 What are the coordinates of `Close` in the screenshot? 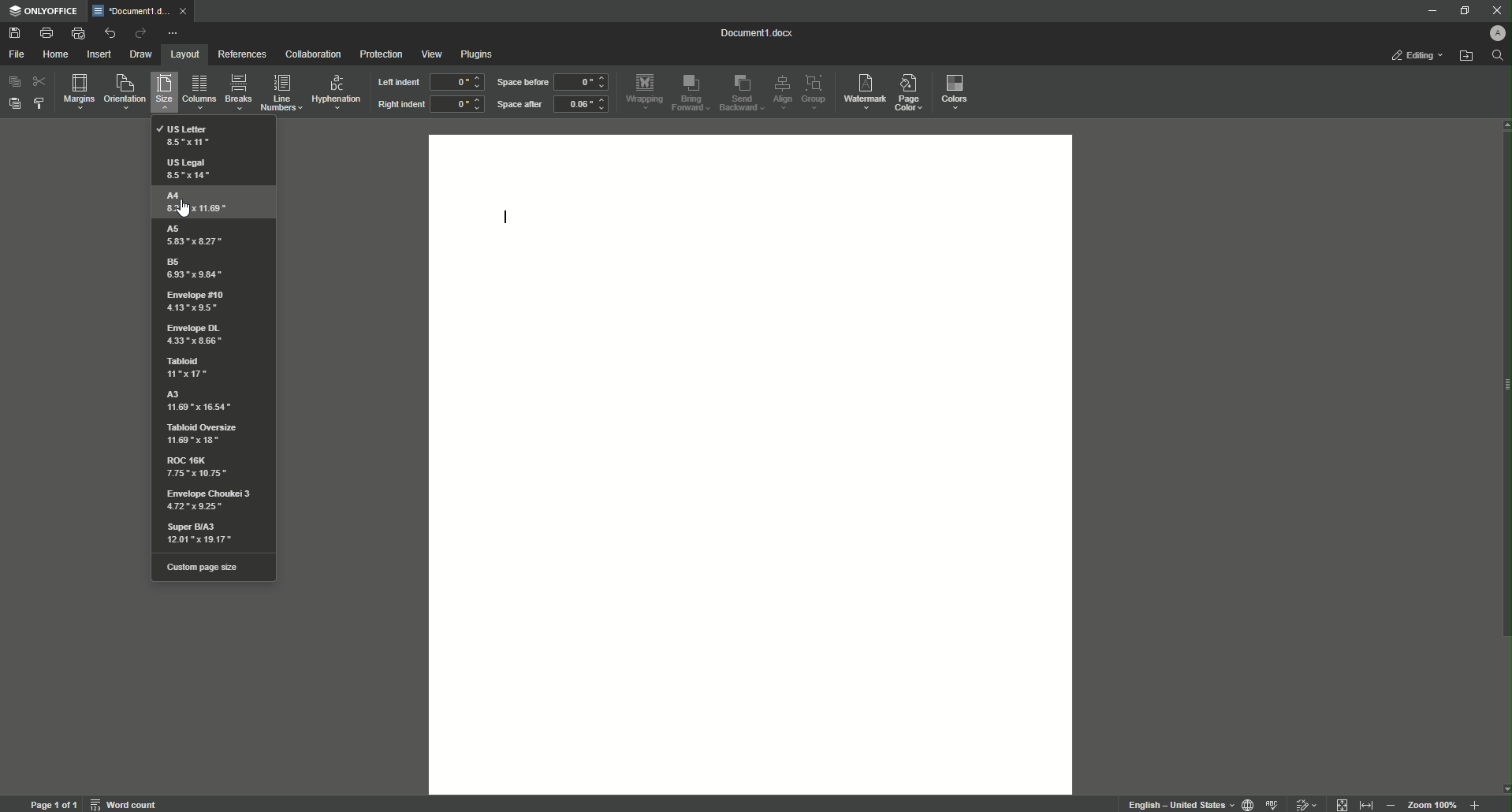 It's located at (1494, 11).